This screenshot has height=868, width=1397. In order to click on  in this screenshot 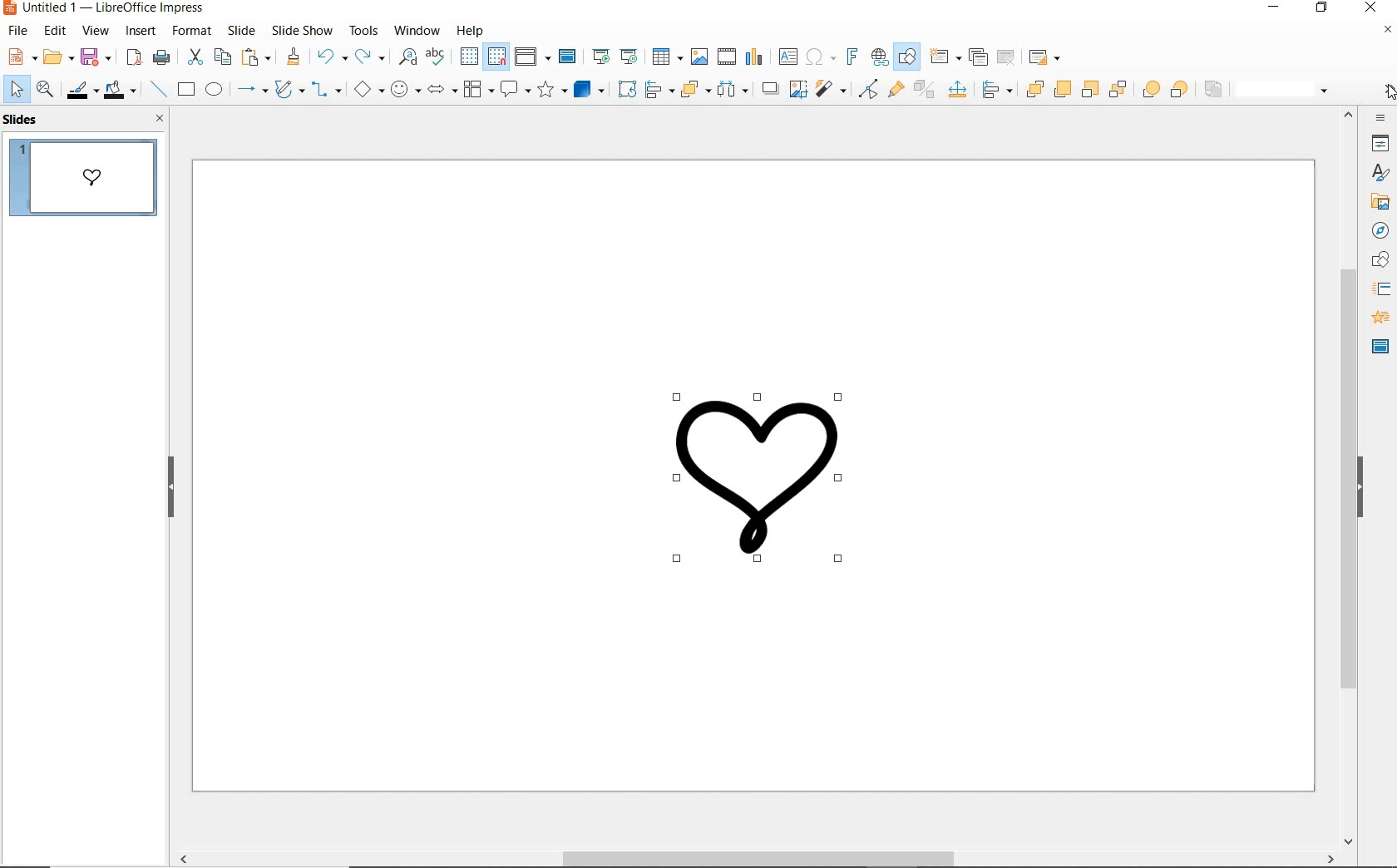, I will do `click(1380, 261)`.